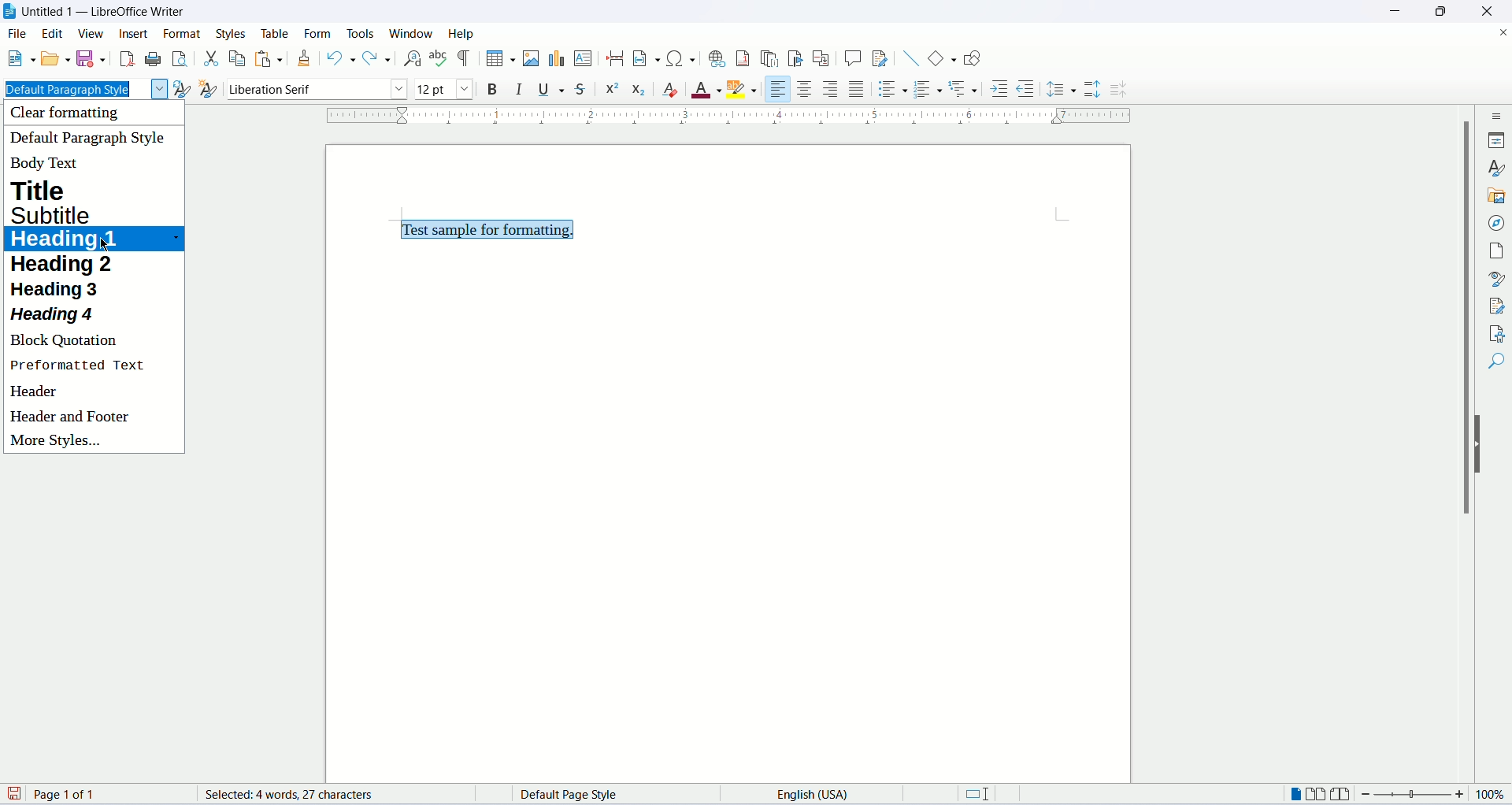 This screenshot has height=805, width=1512. Describe the element at coordinates (54, 317) in the screenshot. I see `heading 4` at that location.